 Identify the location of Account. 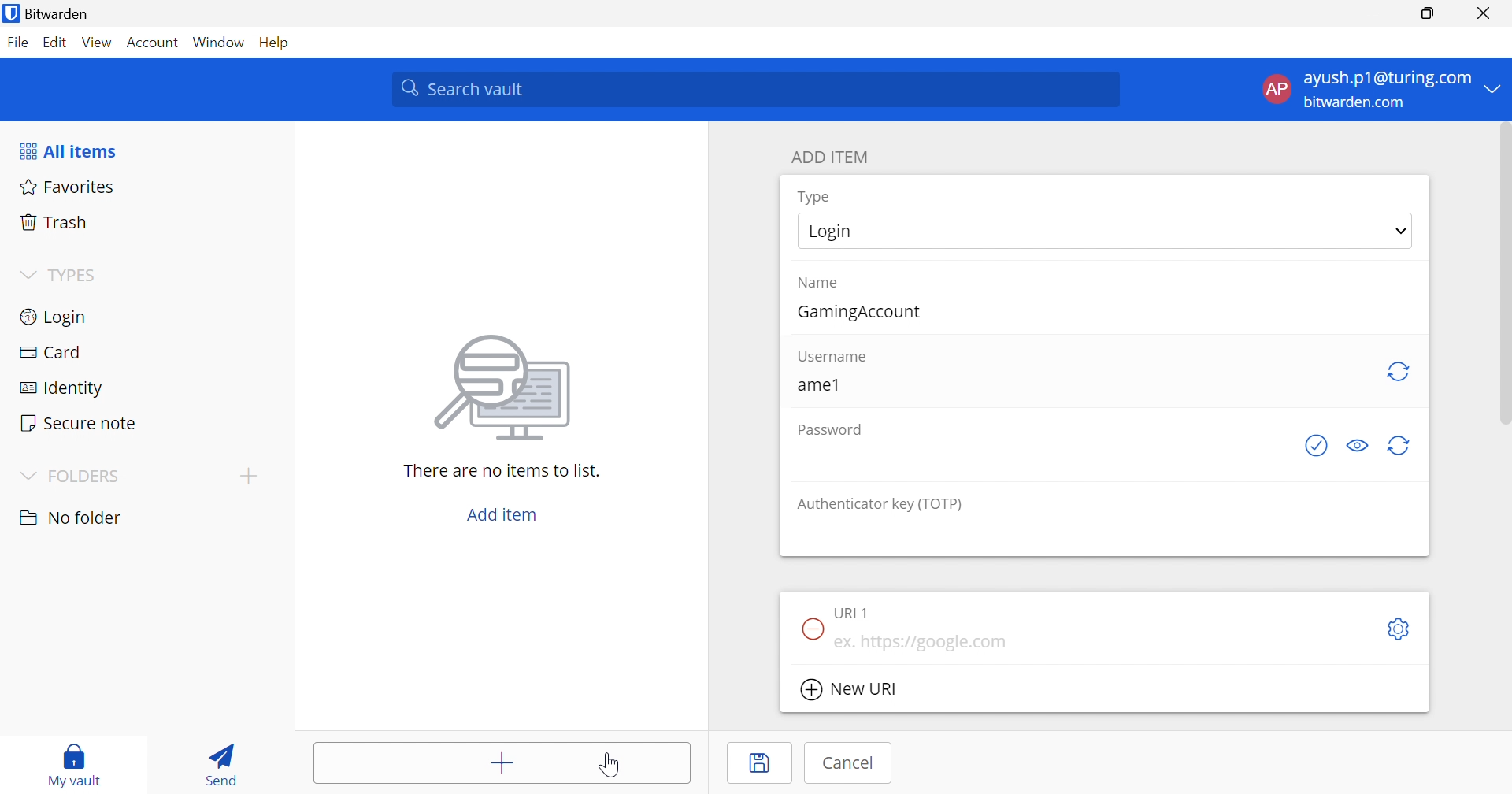
(154, 41).